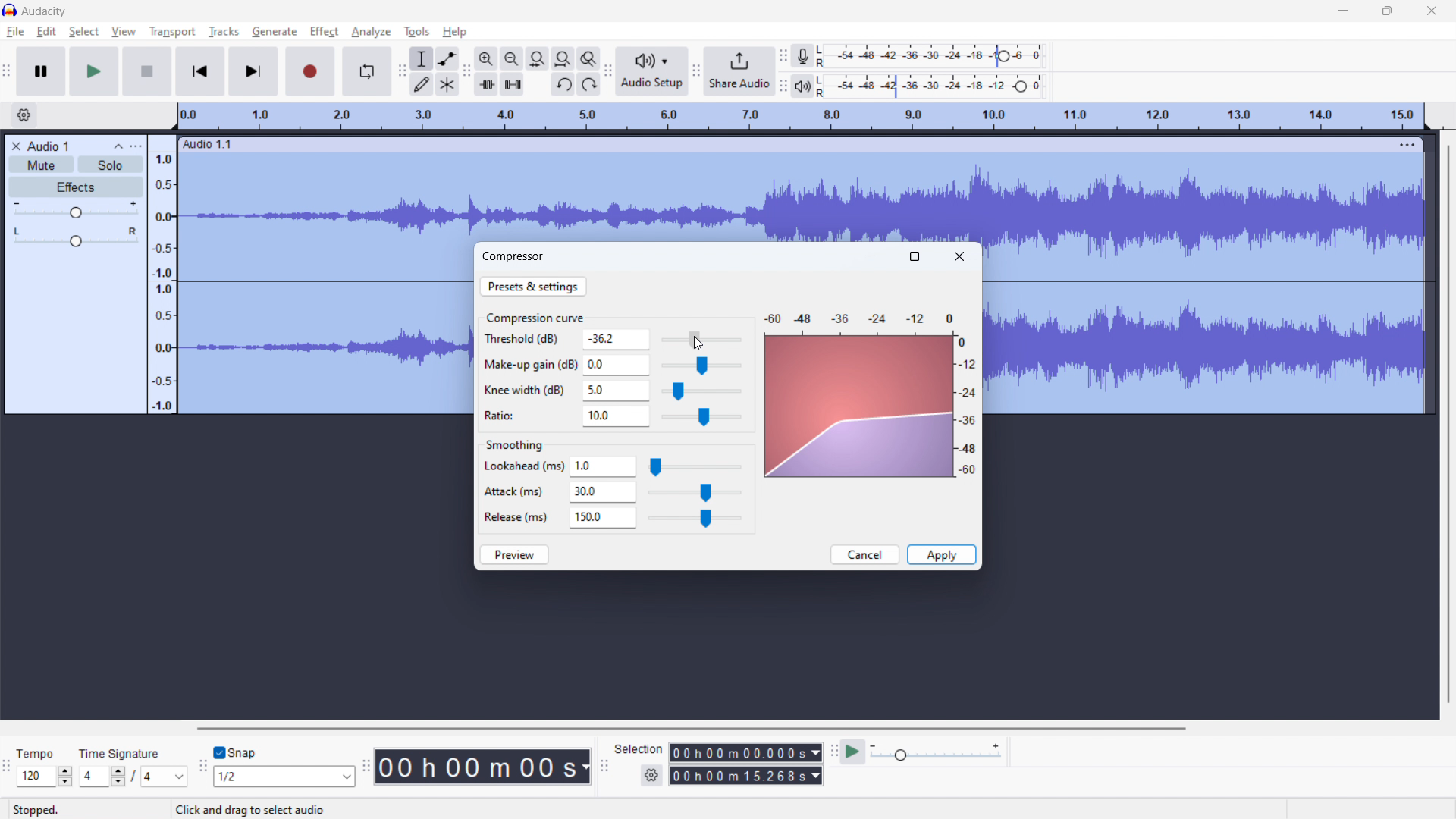 The height and width of the screenshot is (819, 1456). Describe the element at coordinates (48, 146) in the screenshot. I see `project title` at that location.